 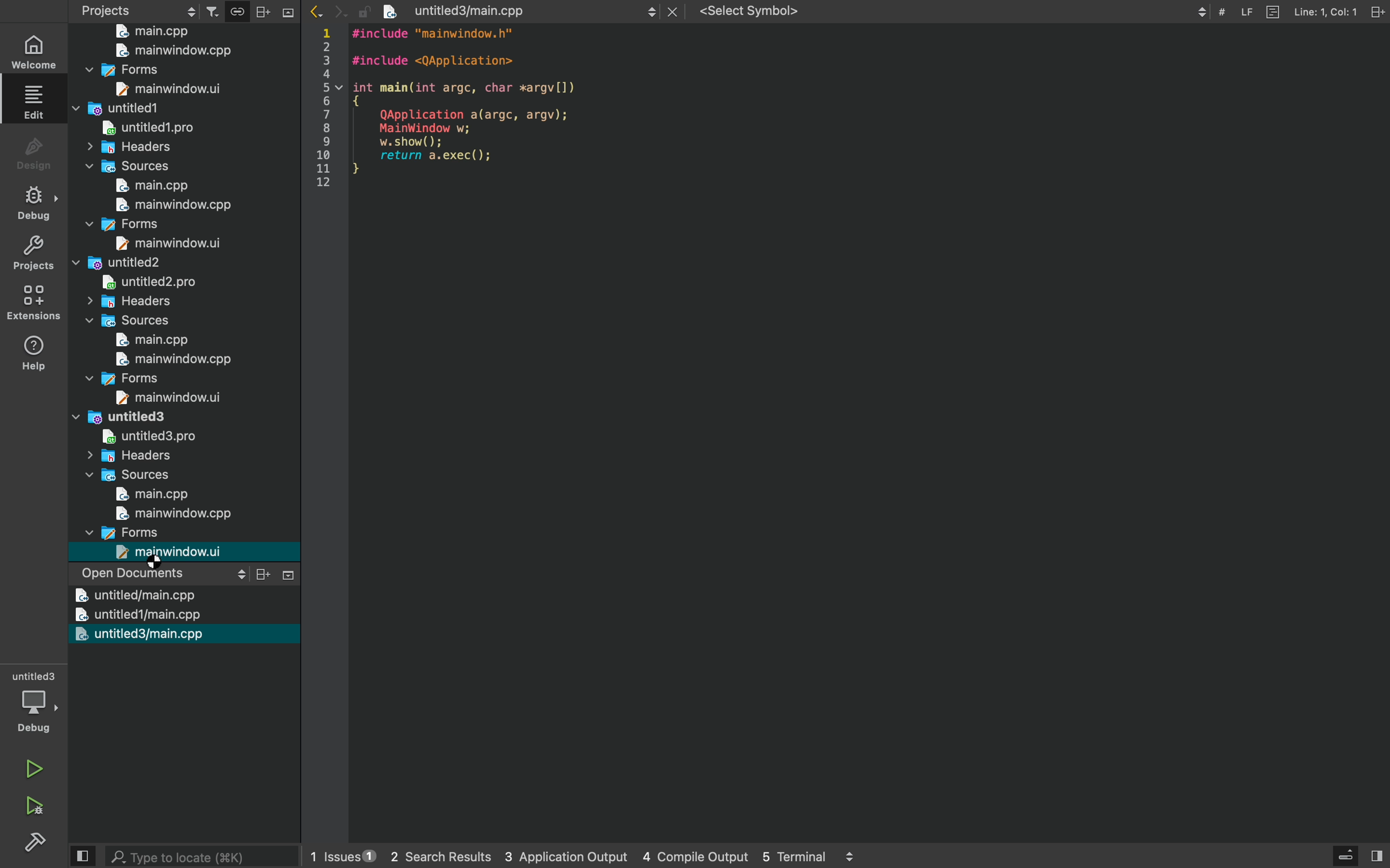 I want to click on mainwindow, so click(x=159, y=225).